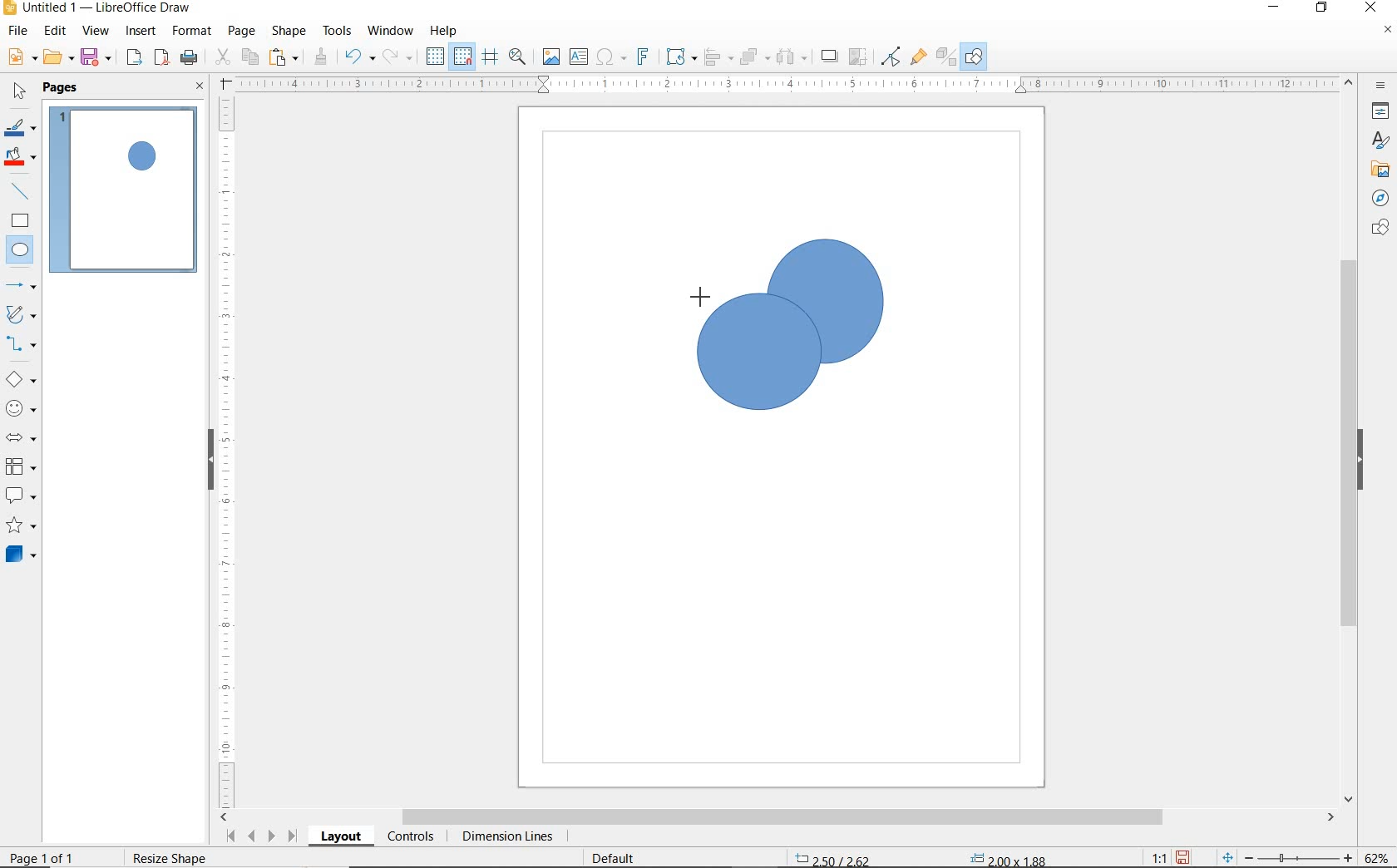 This screenshot has width=1397, height=868. Describe the element at coordinates (22, 382) in the screenshot. I see `BASIC SHAPES` at that location.